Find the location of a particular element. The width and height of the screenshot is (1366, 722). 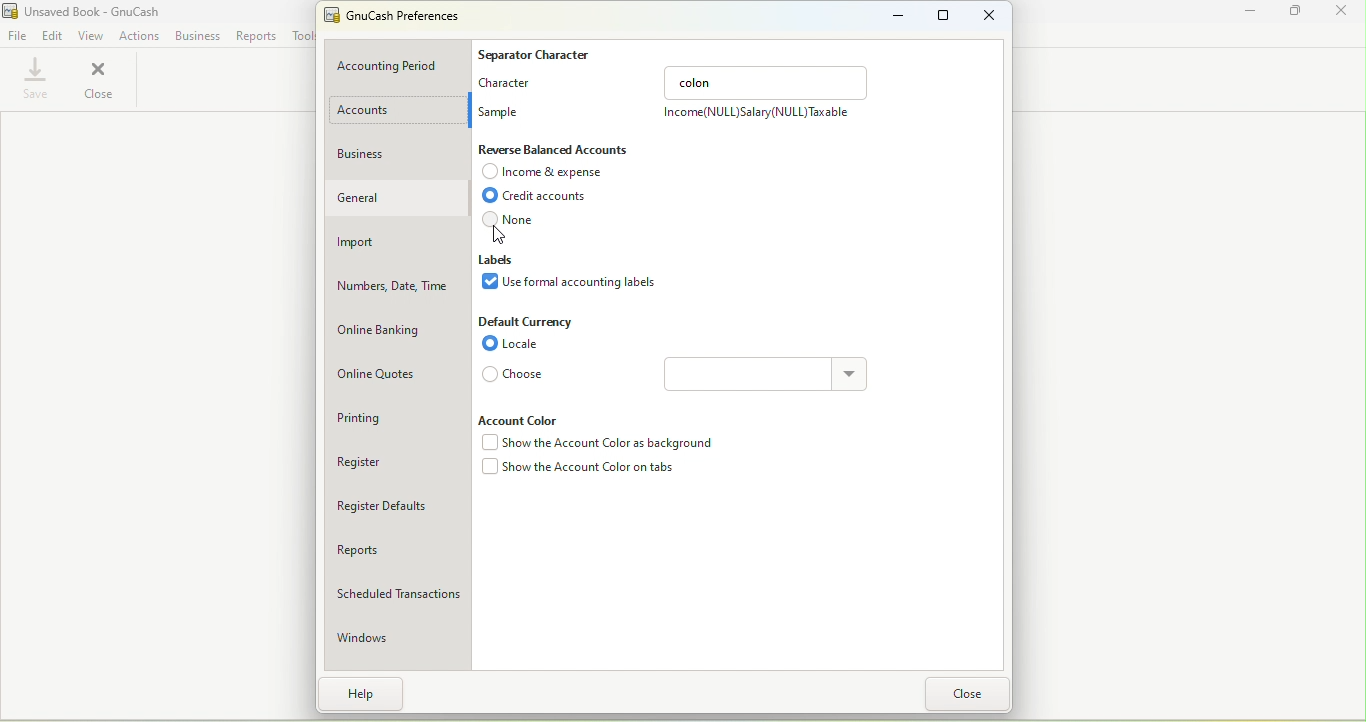

Save is located at coordinates (33, 79).